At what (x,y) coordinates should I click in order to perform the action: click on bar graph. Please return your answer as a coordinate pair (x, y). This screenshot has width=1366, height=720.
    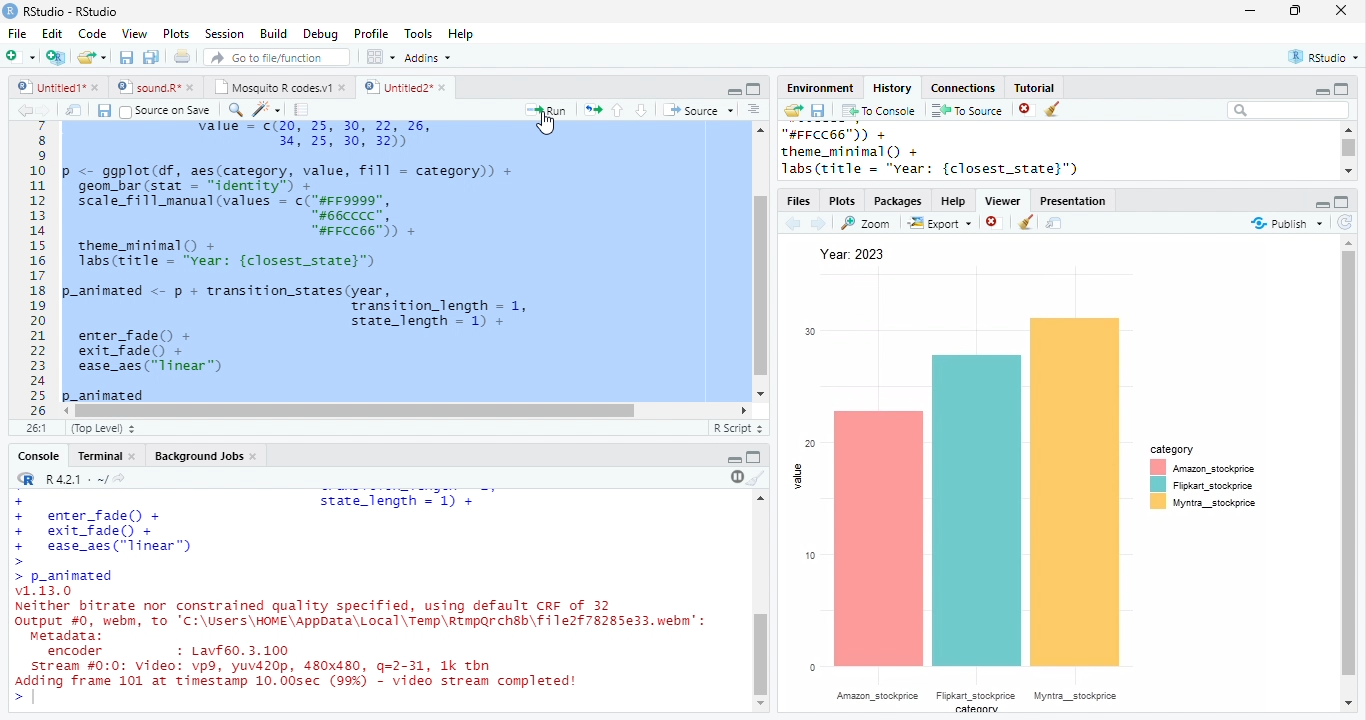
    Looking at the image, I should click on (977, 493).